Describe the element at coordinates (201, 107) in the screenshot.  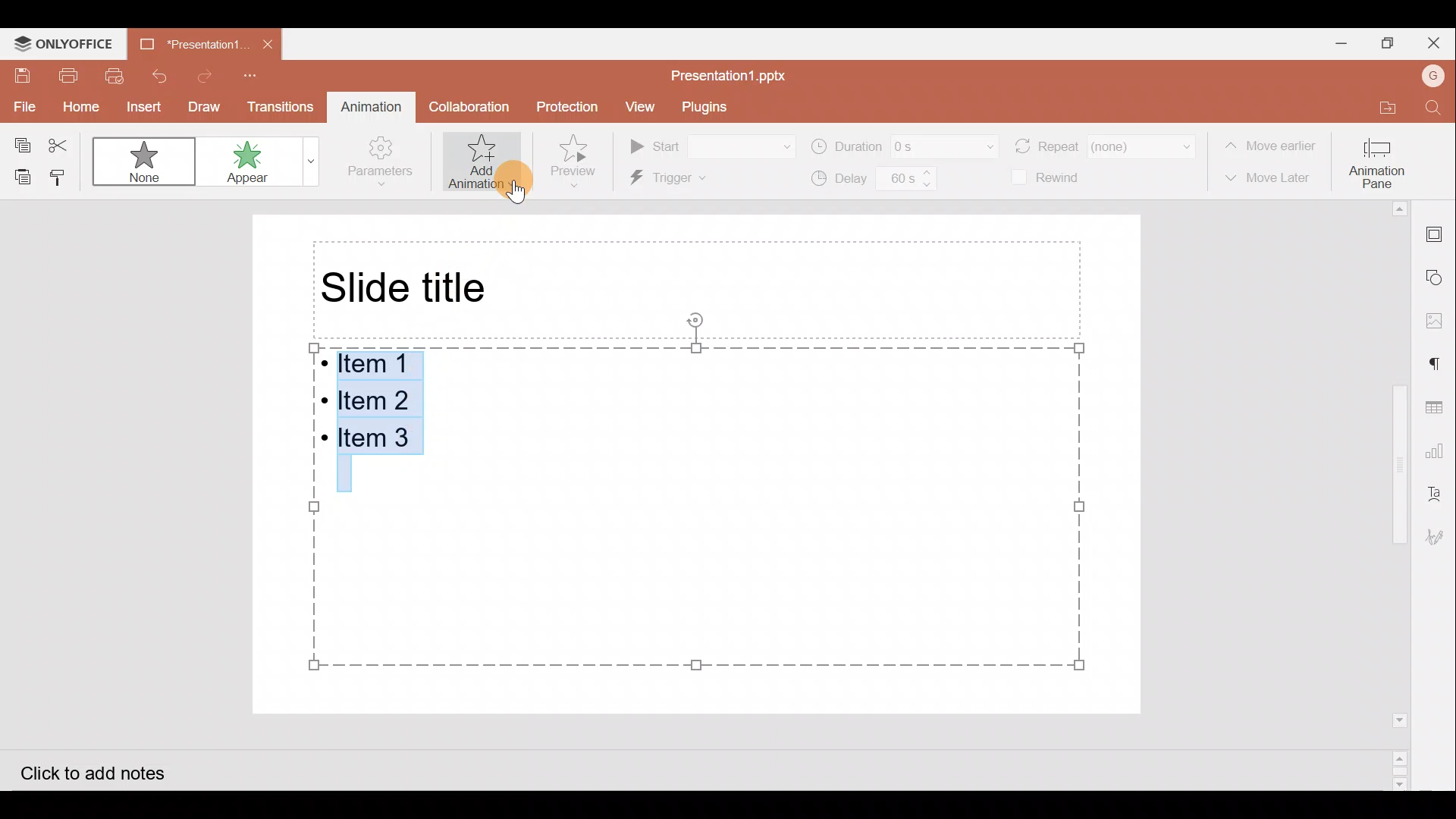
I see `Draw` at that location.